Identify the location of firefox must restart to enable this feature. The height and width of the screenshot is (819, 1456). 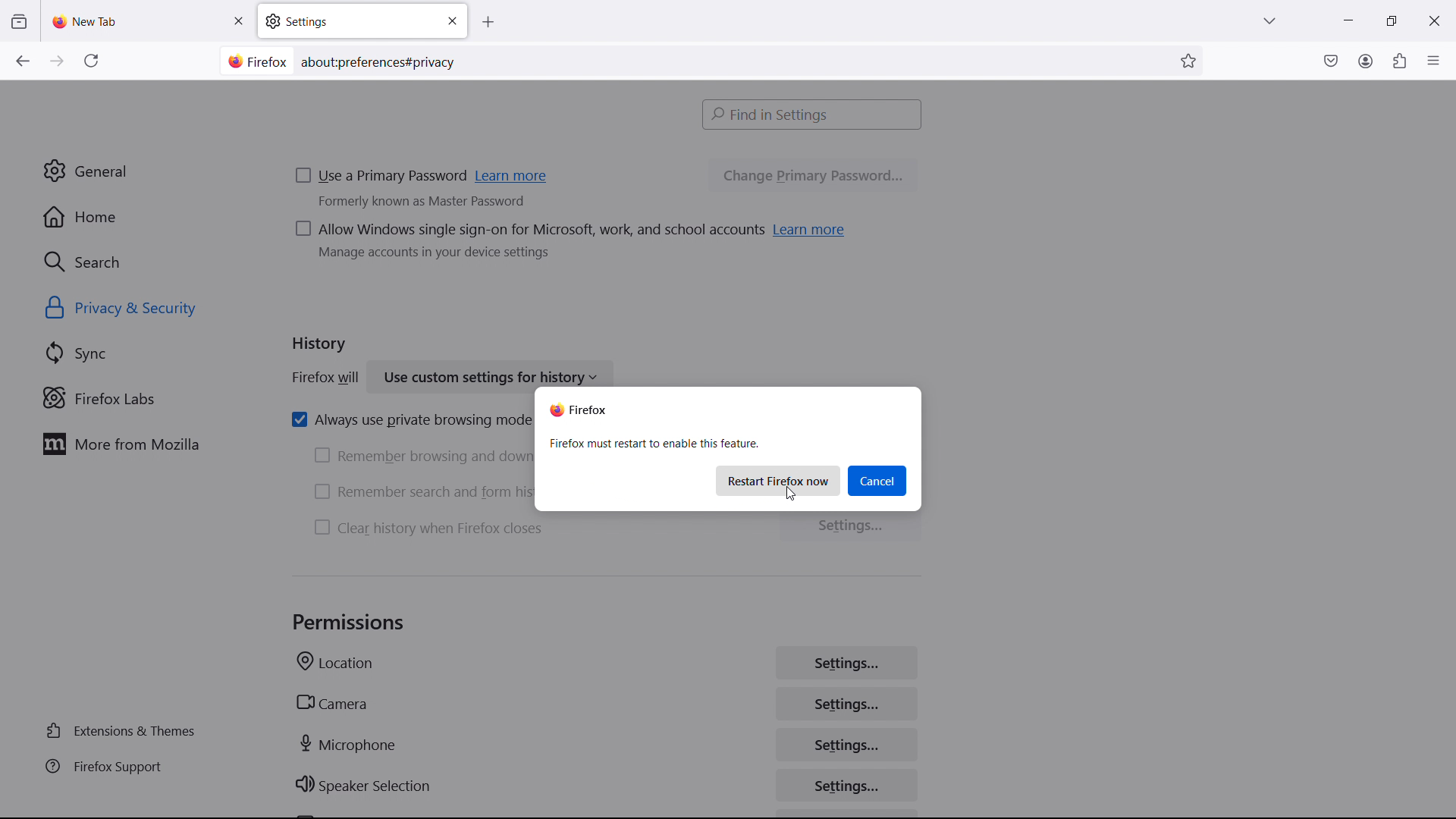
(654, 444).